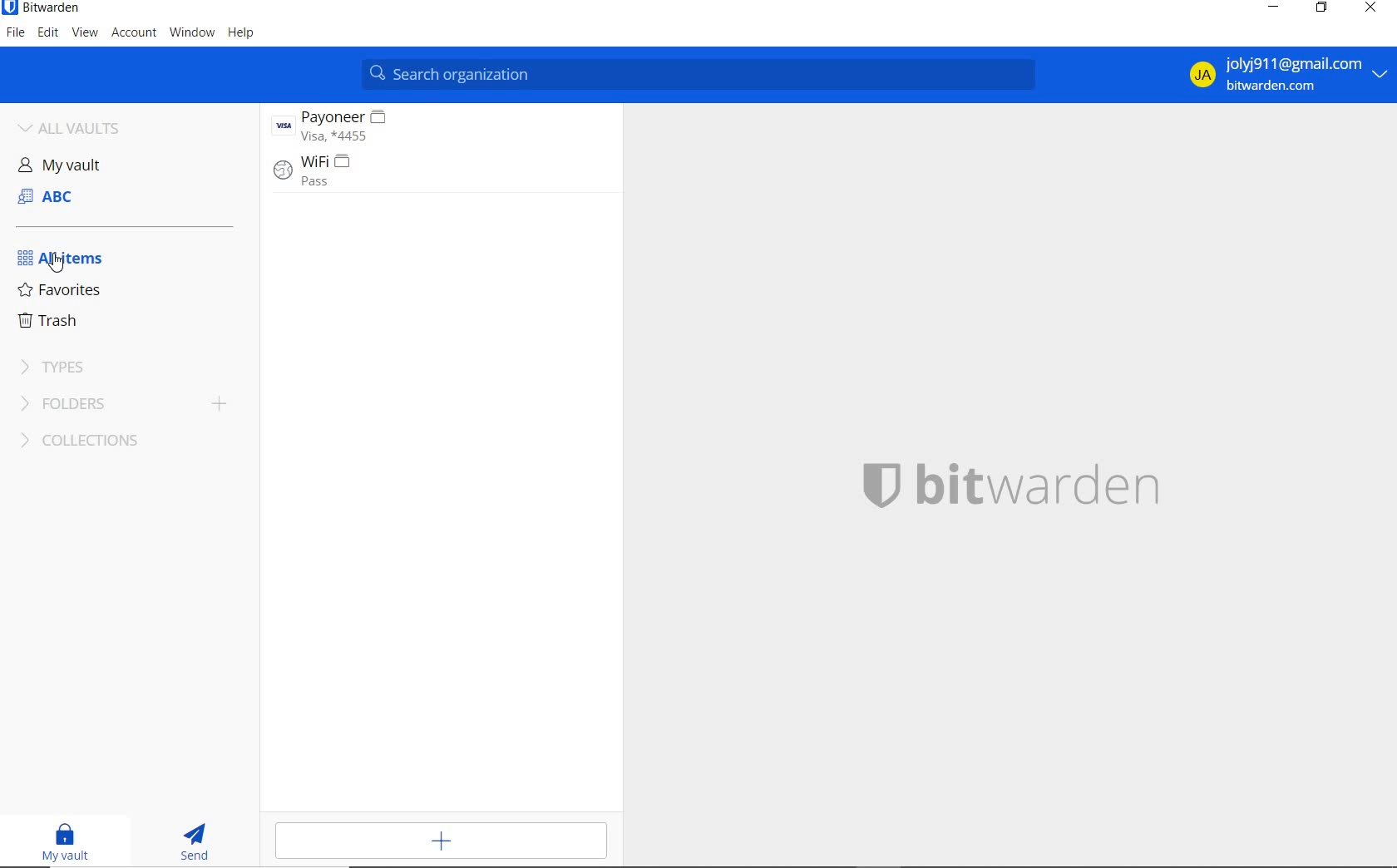  I want to click on TYPES, so click(61, 367).